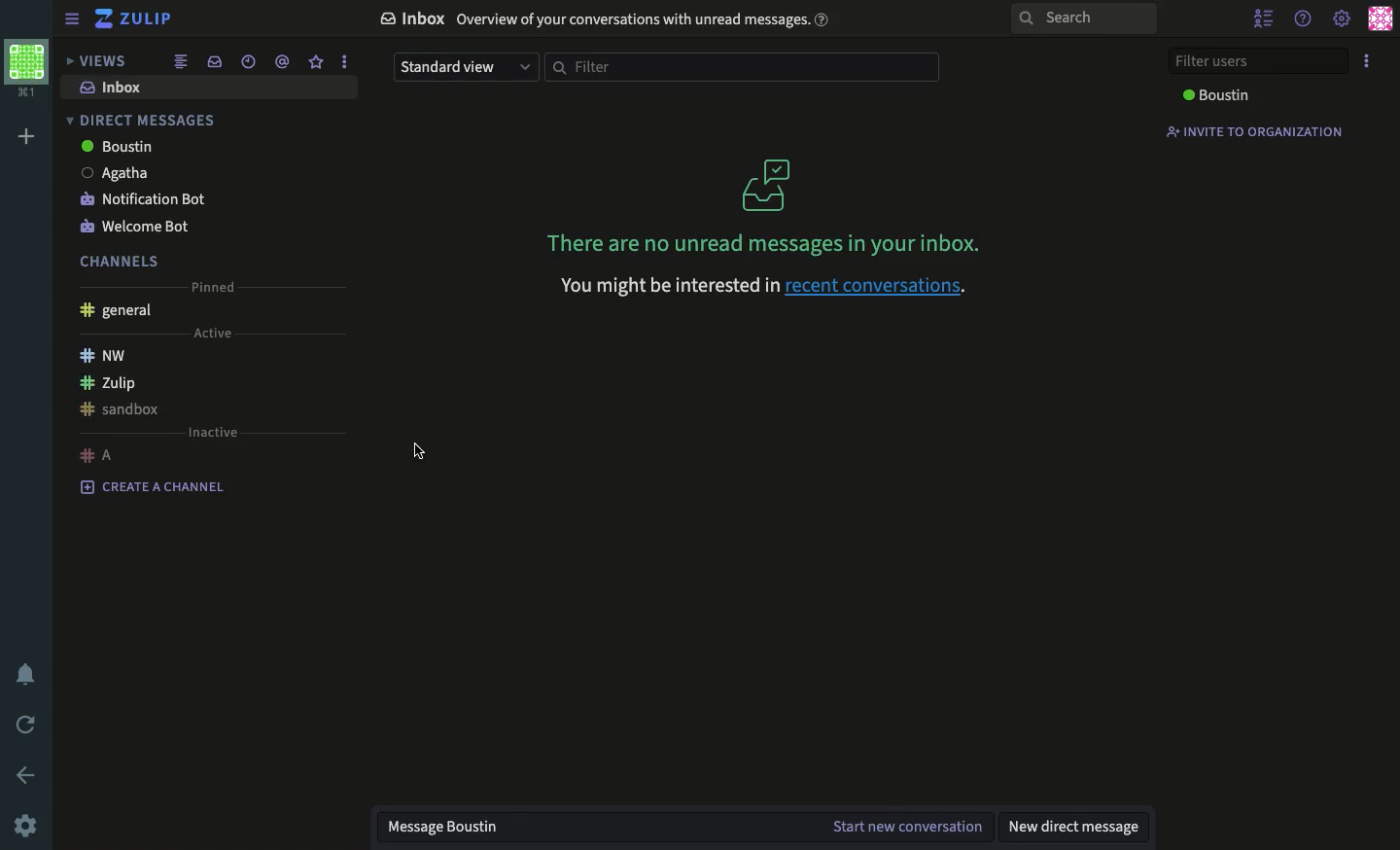 The height and width of the screenshot is (850, 1400). I want to click on general, so click(119, 311).